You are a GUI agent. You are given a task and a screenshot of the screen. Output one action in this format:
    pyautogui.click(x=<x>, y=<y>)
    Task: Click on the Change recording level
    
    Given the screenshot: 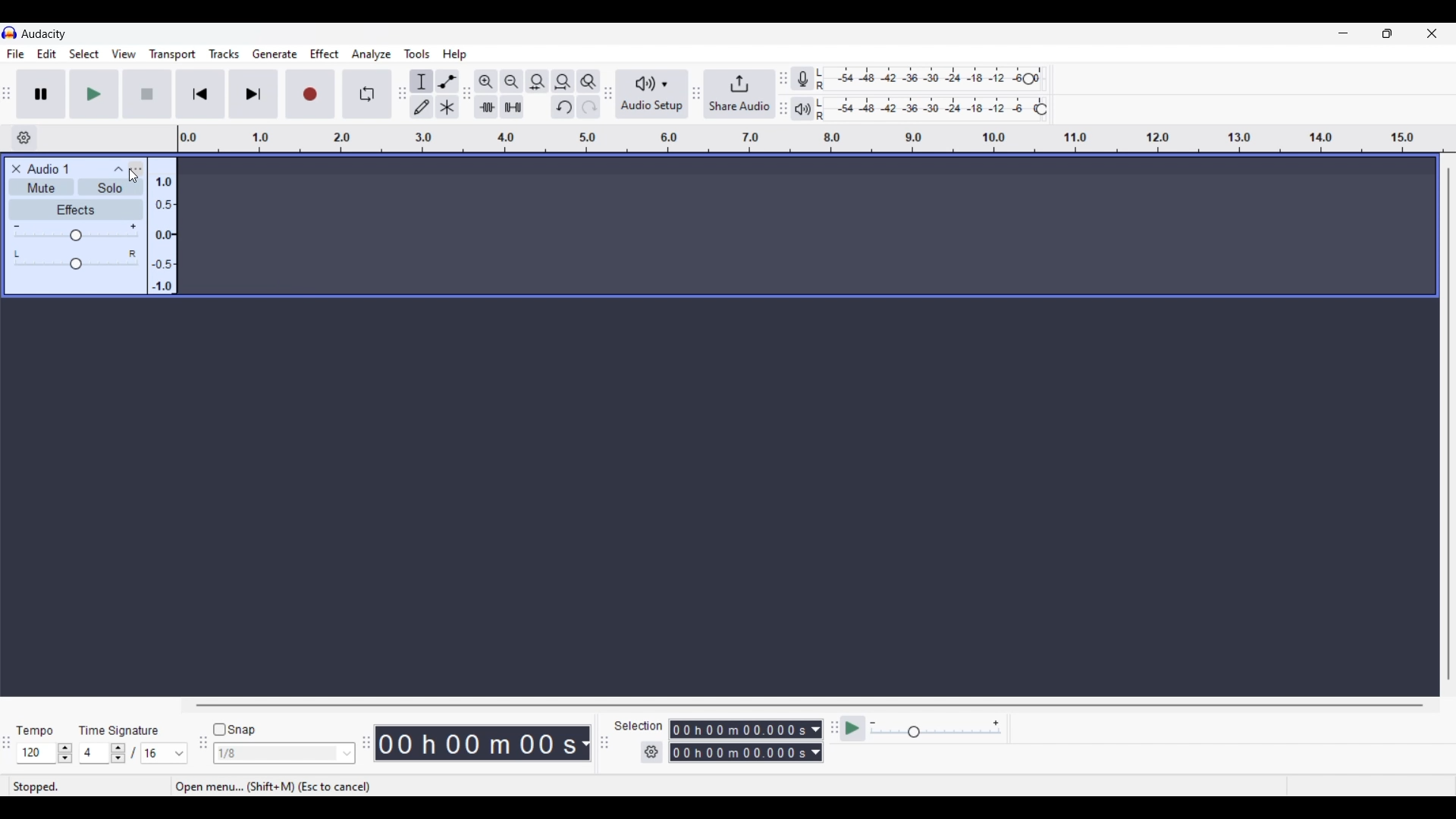 What is the action you would take?
    pyautogui.click(x=1028, y=78)
    